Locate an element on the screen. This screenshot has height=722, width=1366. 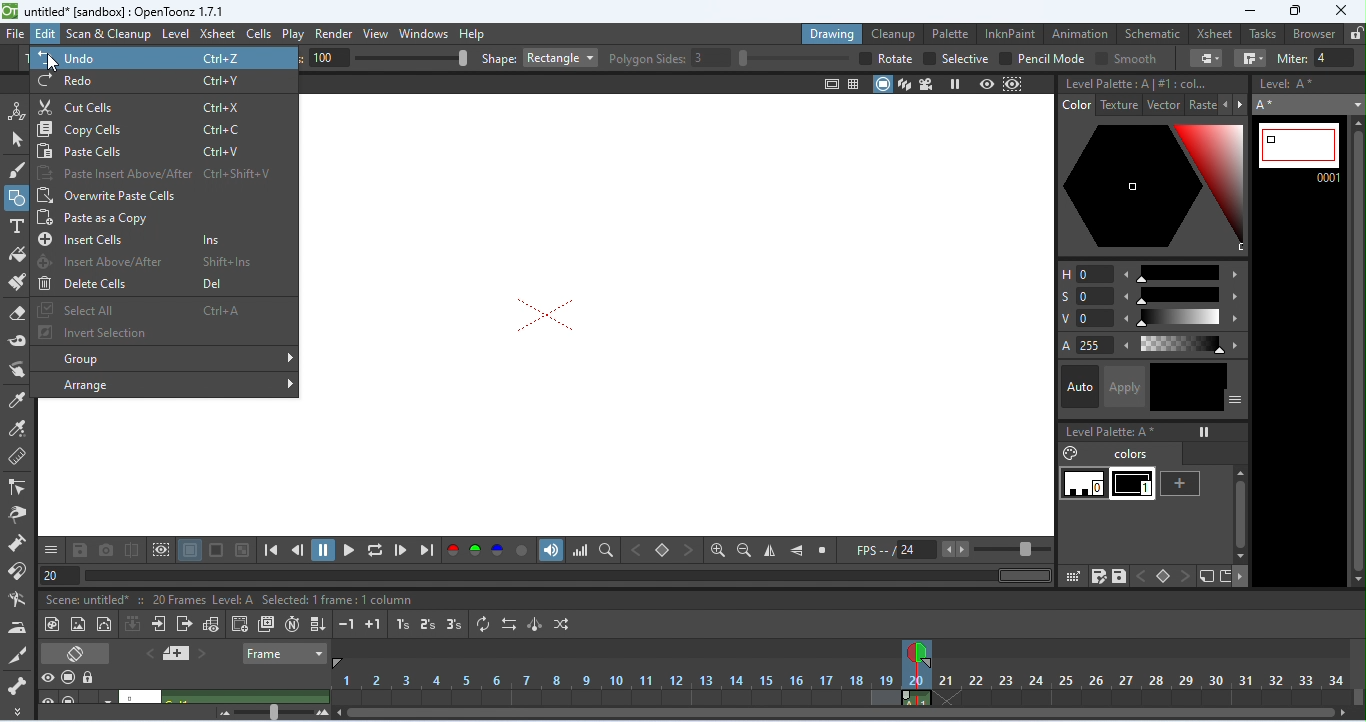
cursor movement is located at coordinates (56, 63).